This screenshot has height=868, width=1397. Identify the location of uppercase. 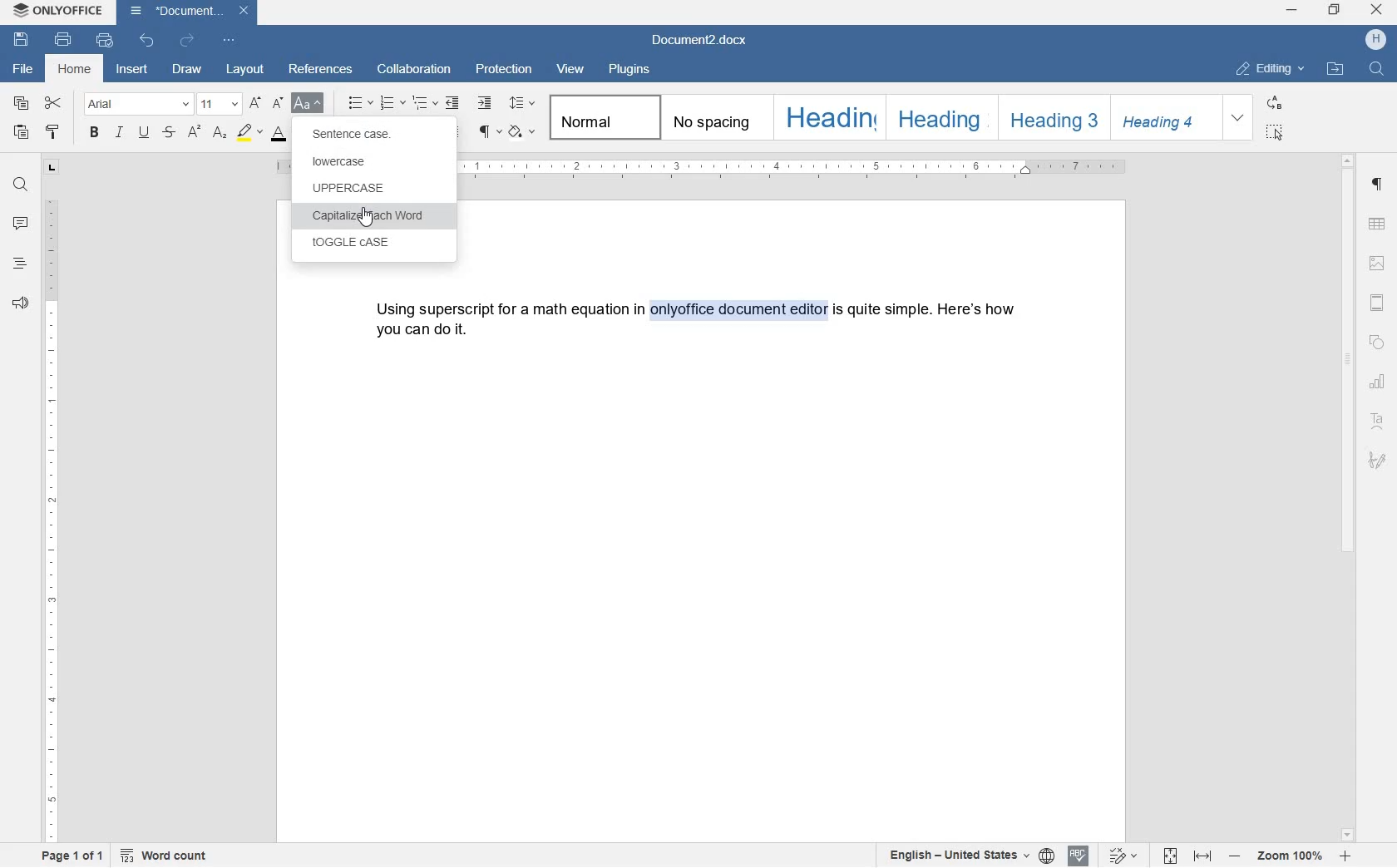
(368, 190).